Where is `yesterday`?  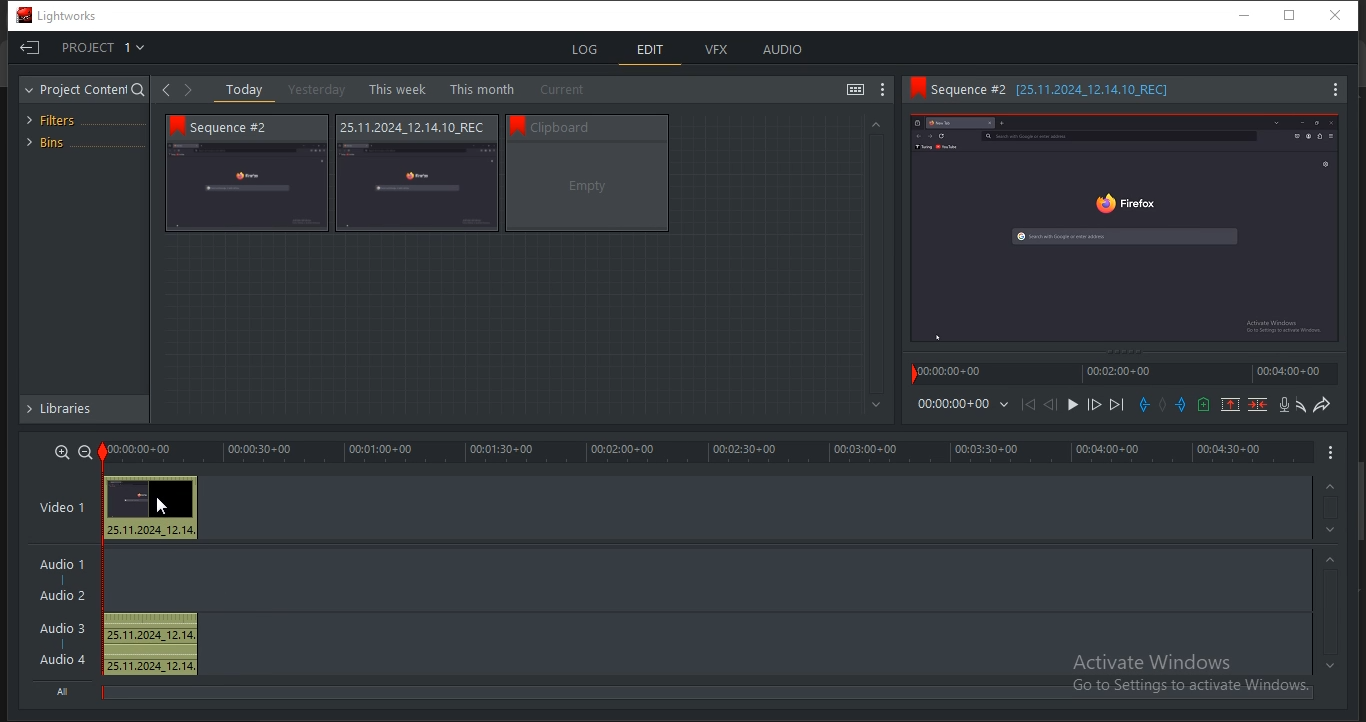 yesterday is located at coordinates (316, 89).